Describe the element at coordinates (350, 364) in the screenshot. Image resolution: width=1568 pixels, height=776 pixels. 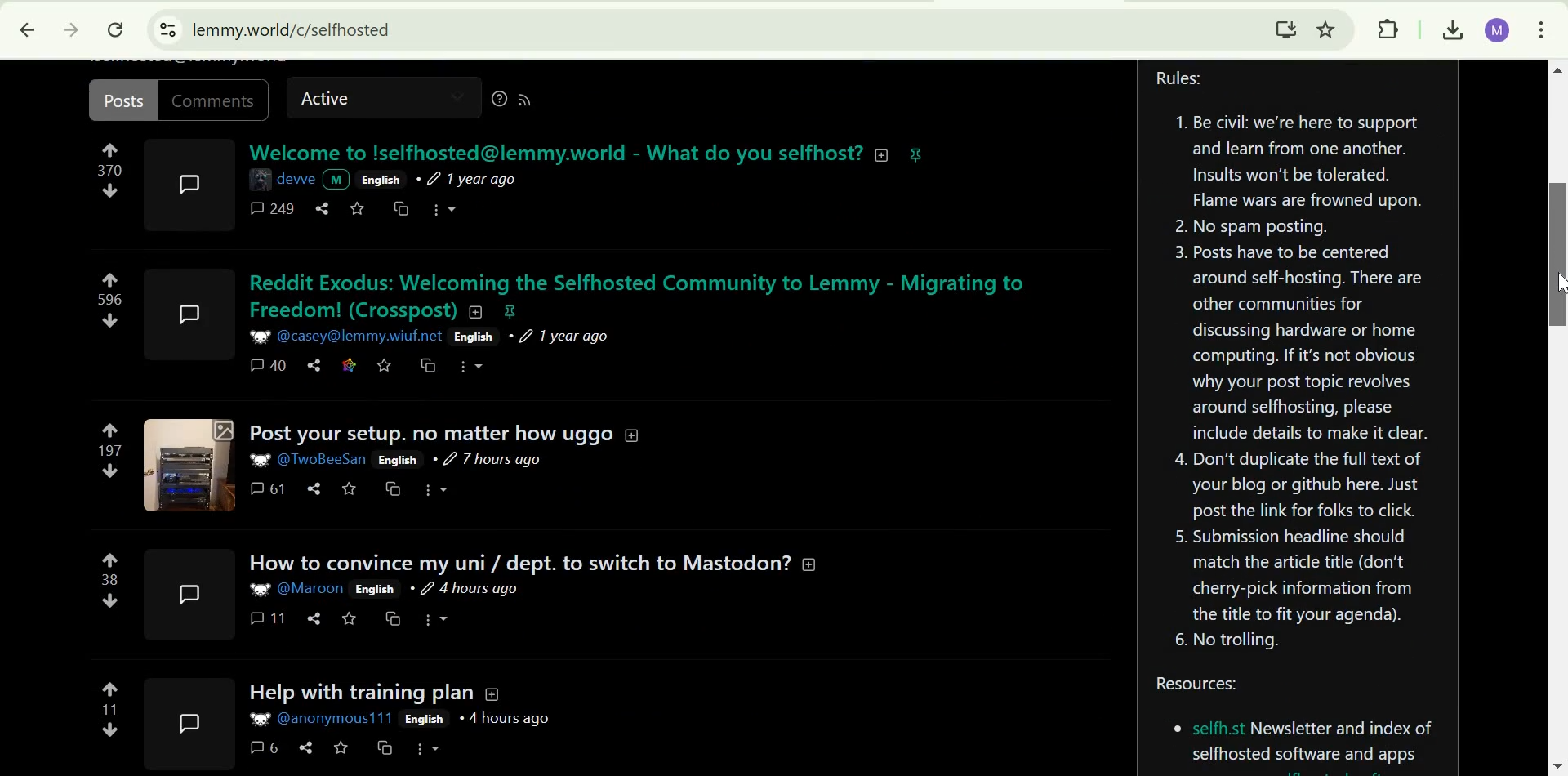
I see `link` at that location.